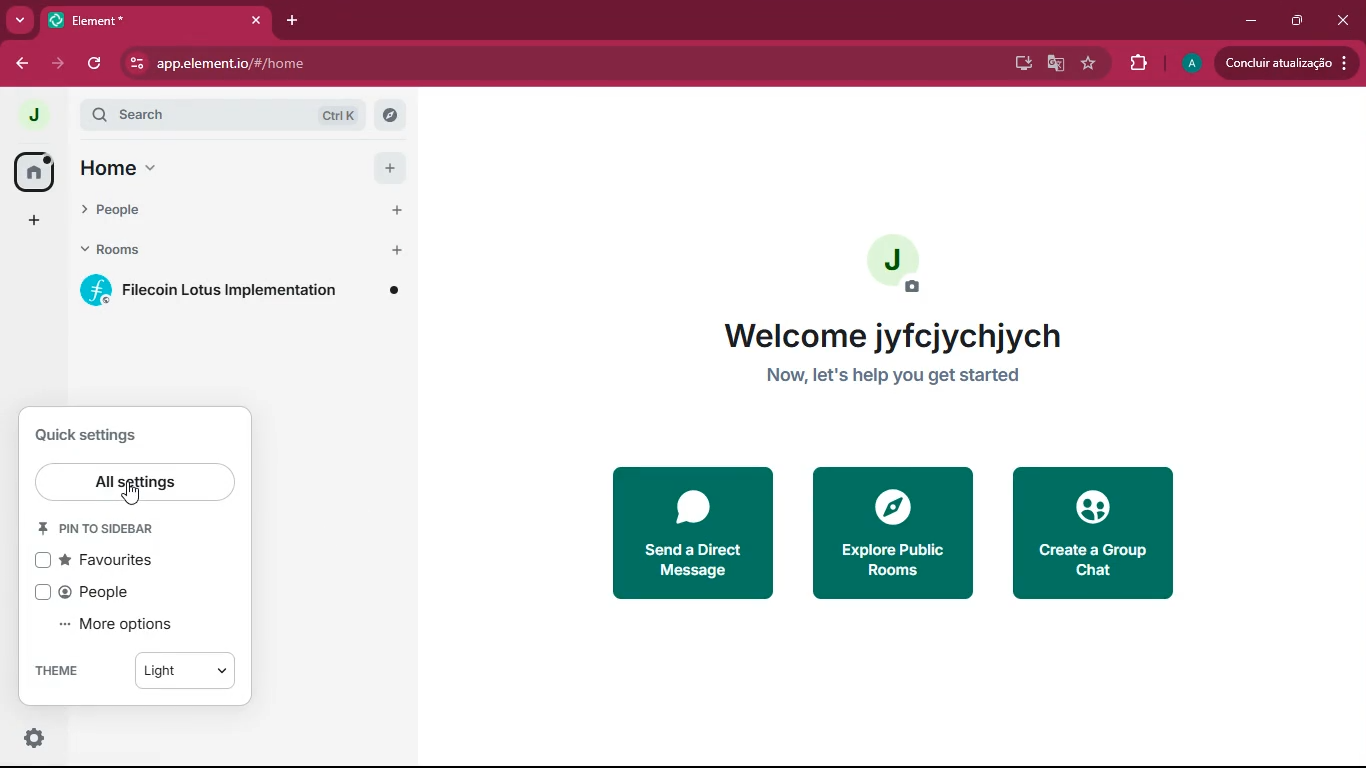  What do you see at coordinates (52, 671) in the screenshot?
I see `theme` at bounding box center [52, 671].